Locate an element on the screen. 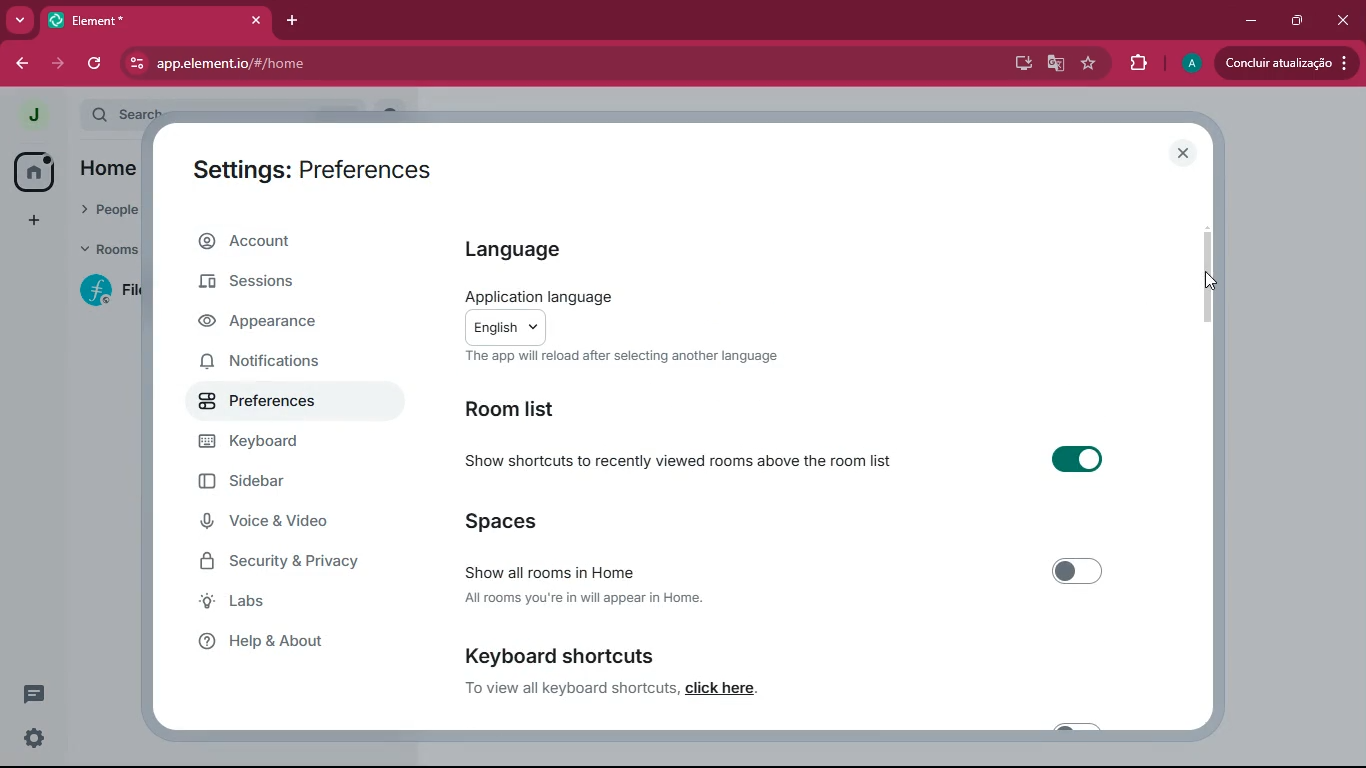  toggle off or on is located at coordinates (1074, 460).